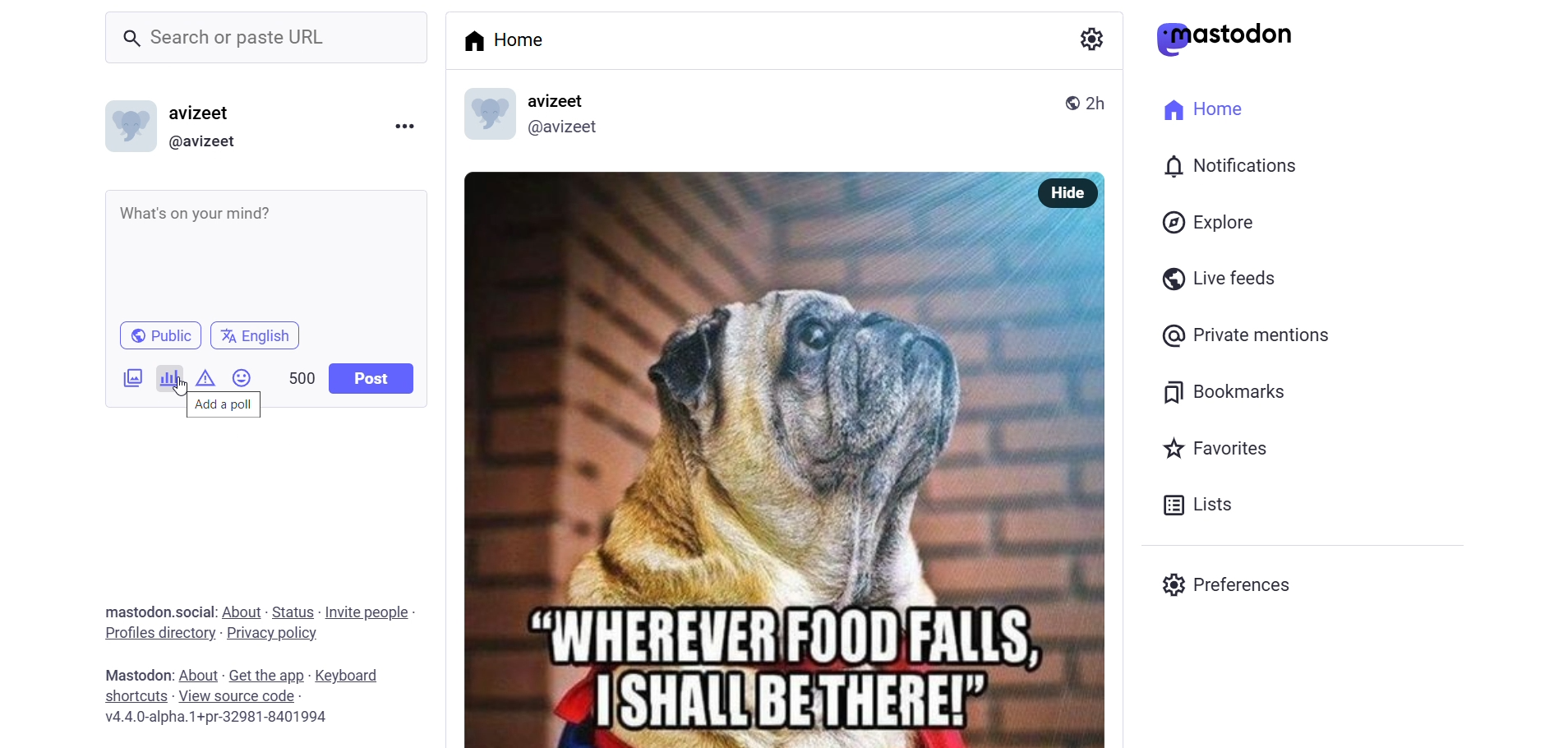 The image size is (1568, 748). Describe the element at coordinates (733, 451) in the screenshot. I see `post image` at that location.